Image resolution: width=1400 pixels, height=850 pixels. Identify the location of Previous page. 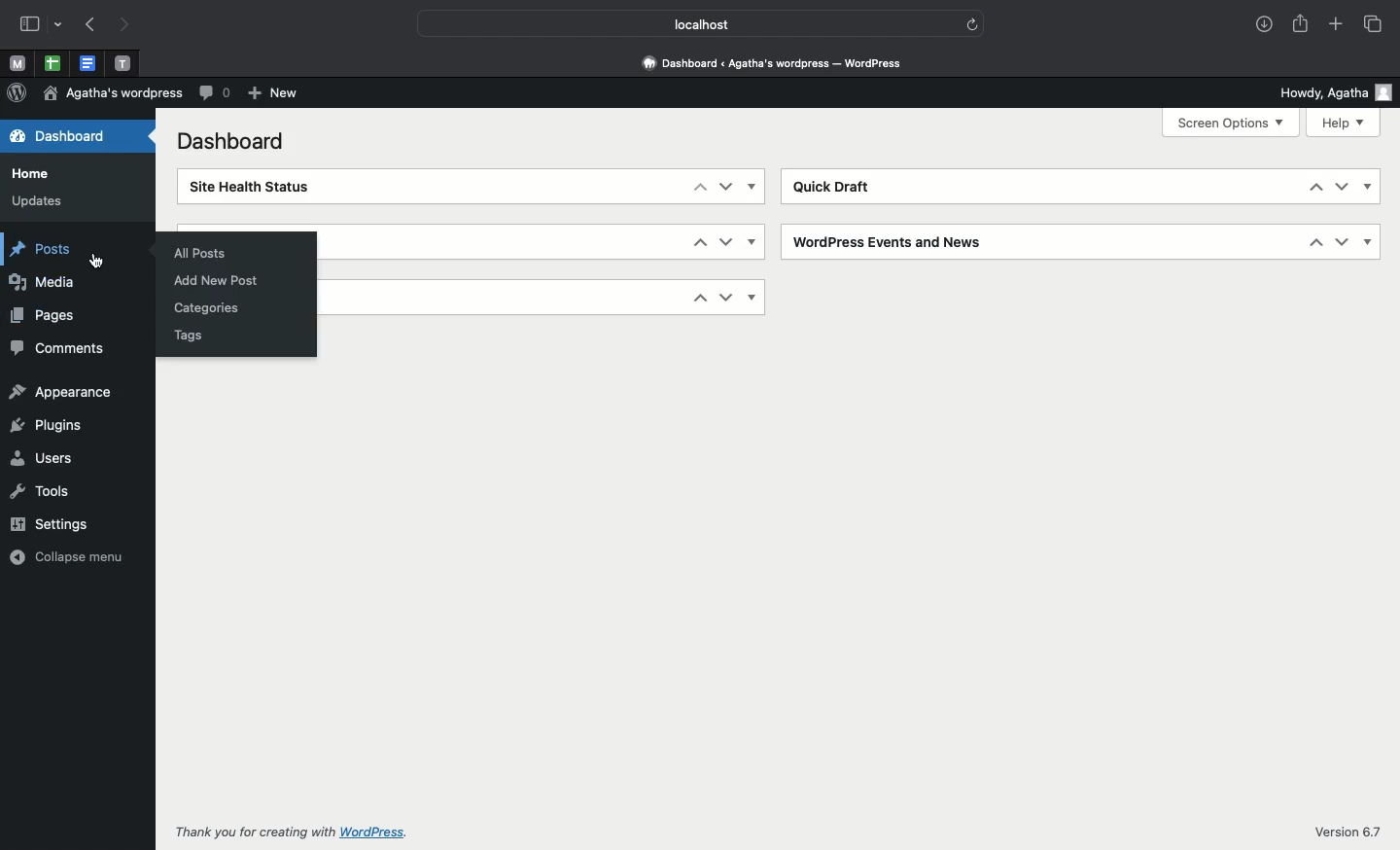
(89, 25).